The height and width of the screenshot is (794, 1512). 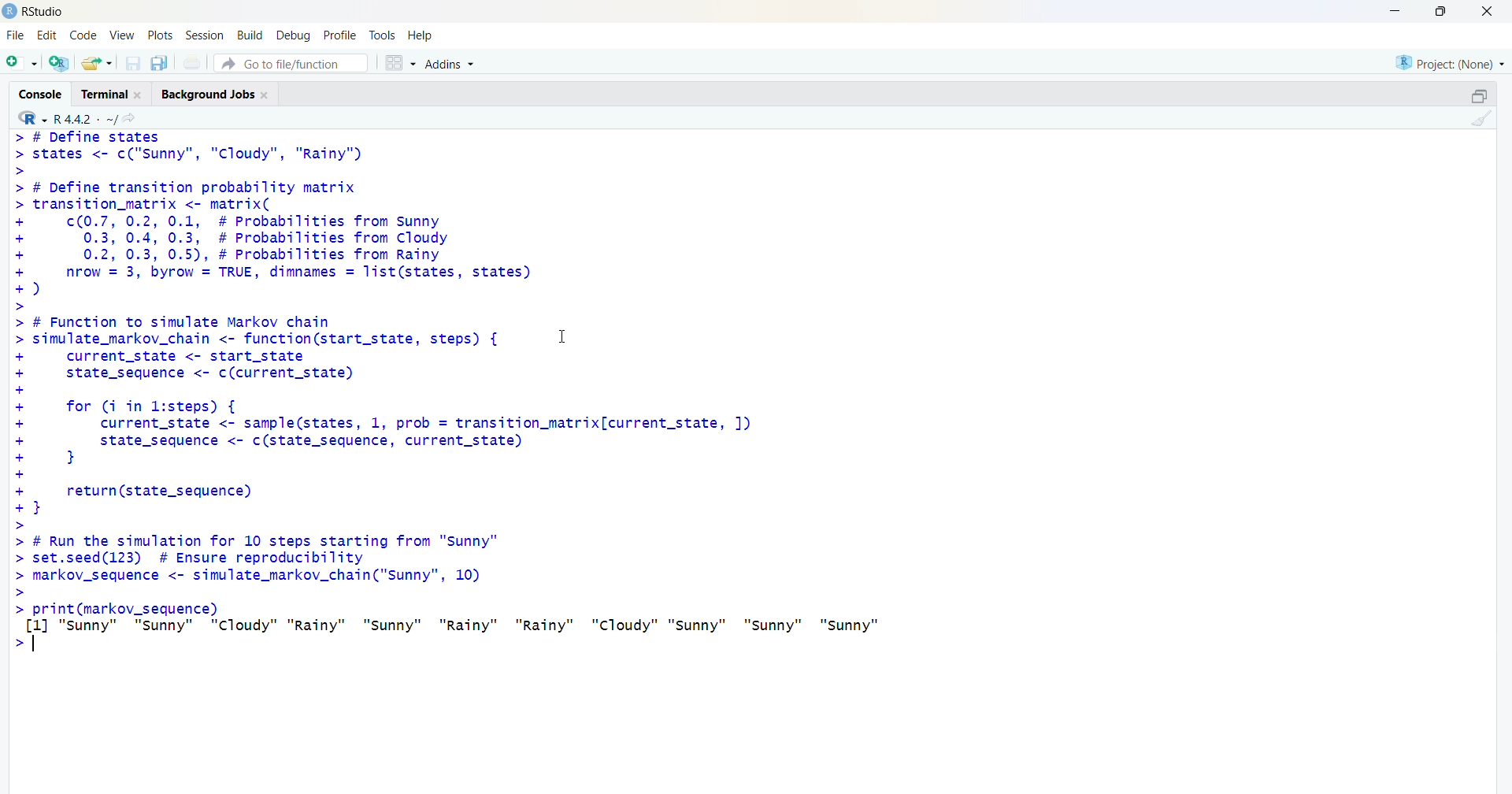 What do you see at coordinates (21, 62) in the screenshot?
I see `new script` at bounding box center [21, 62].